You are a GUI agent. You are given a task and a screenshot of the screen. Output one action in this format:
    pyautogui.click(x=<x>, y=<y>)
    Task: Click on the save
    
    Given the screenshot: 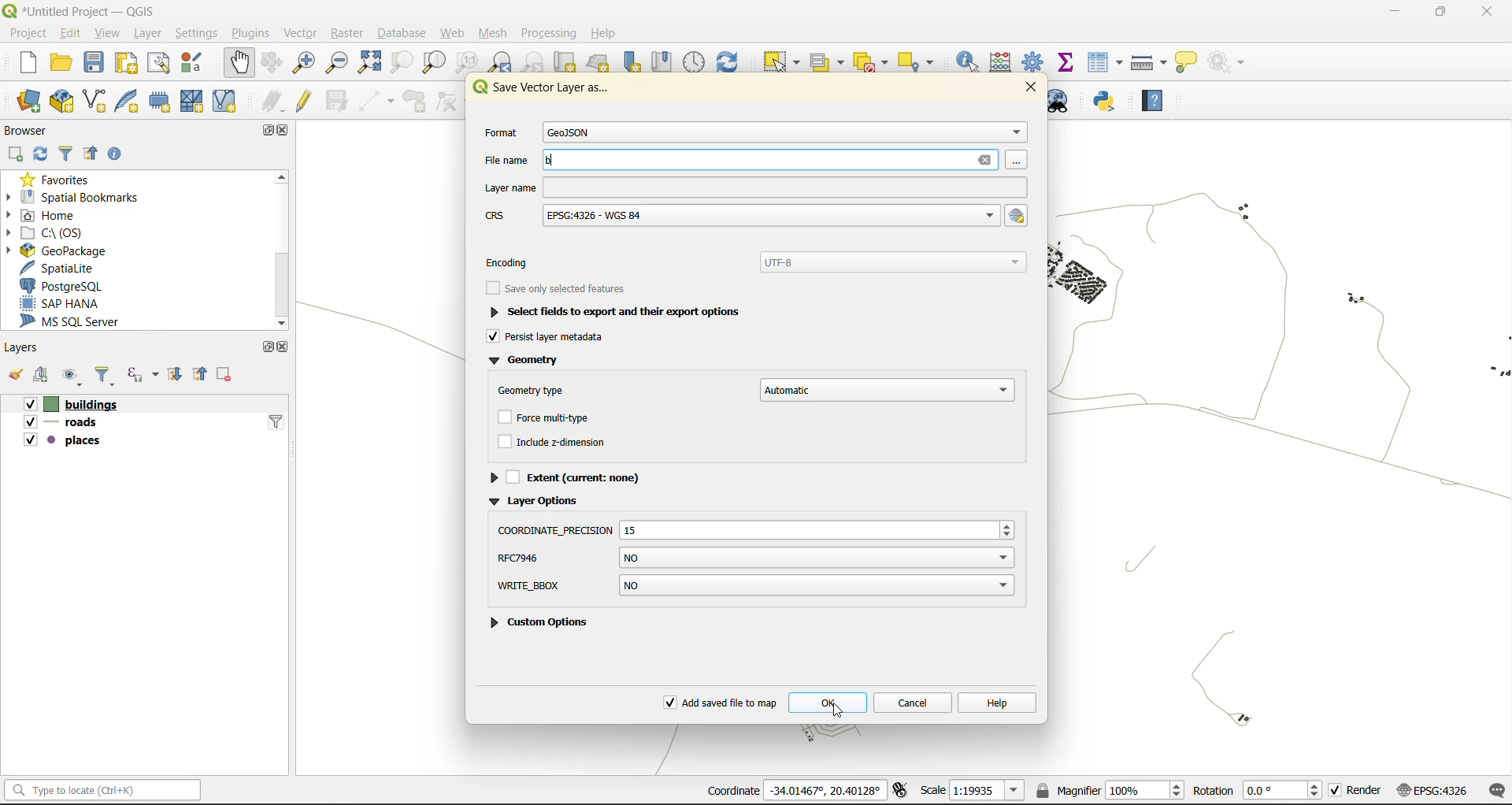 What is the action you would take?
    pyautogui.click(x=94, y=65)
    